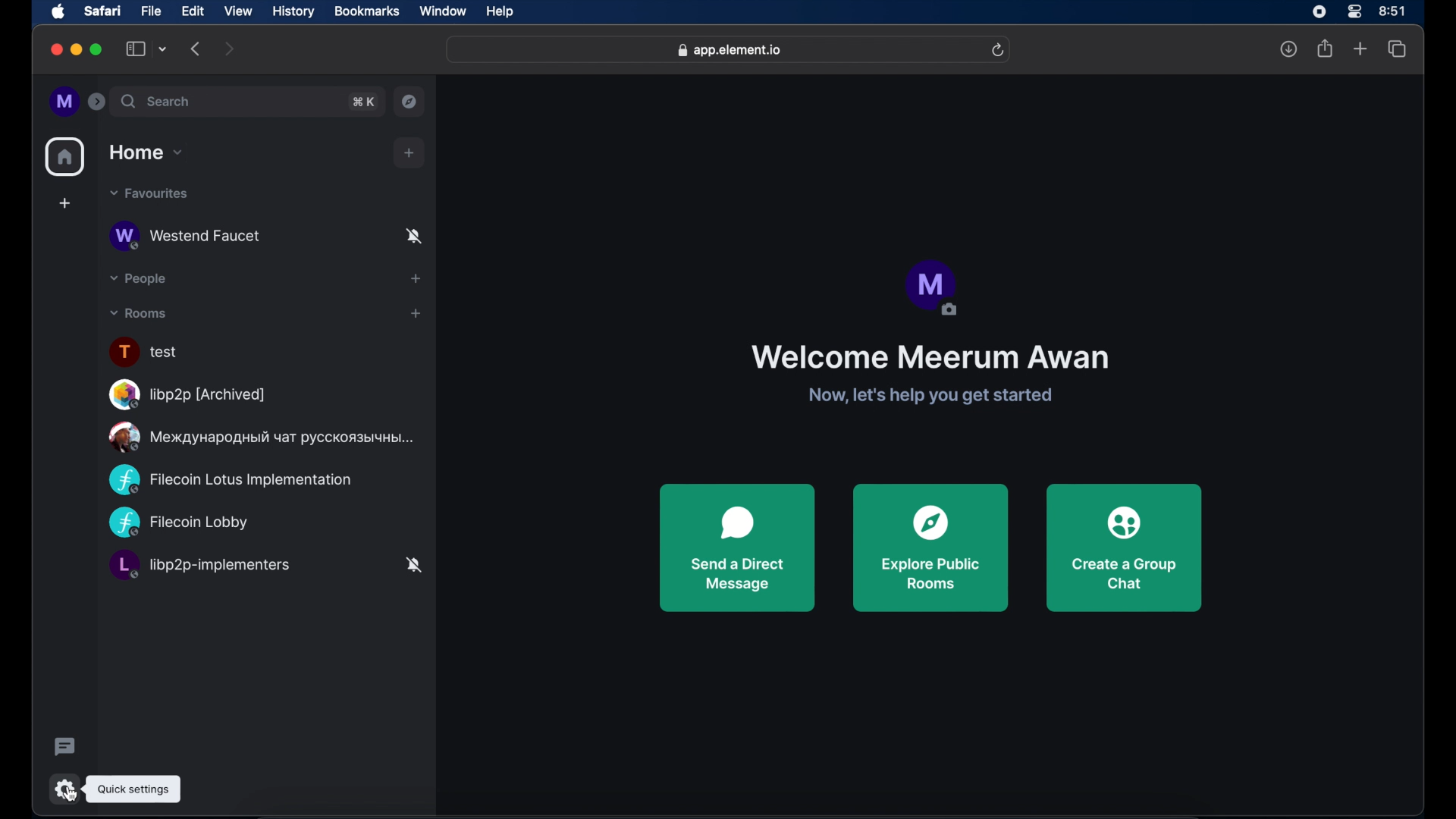 Image resolution: width=1456 pixels, height=819 pixels. Describe the element at coordinates (1358, 44) in the screenshot. I see `new tab` at that location.